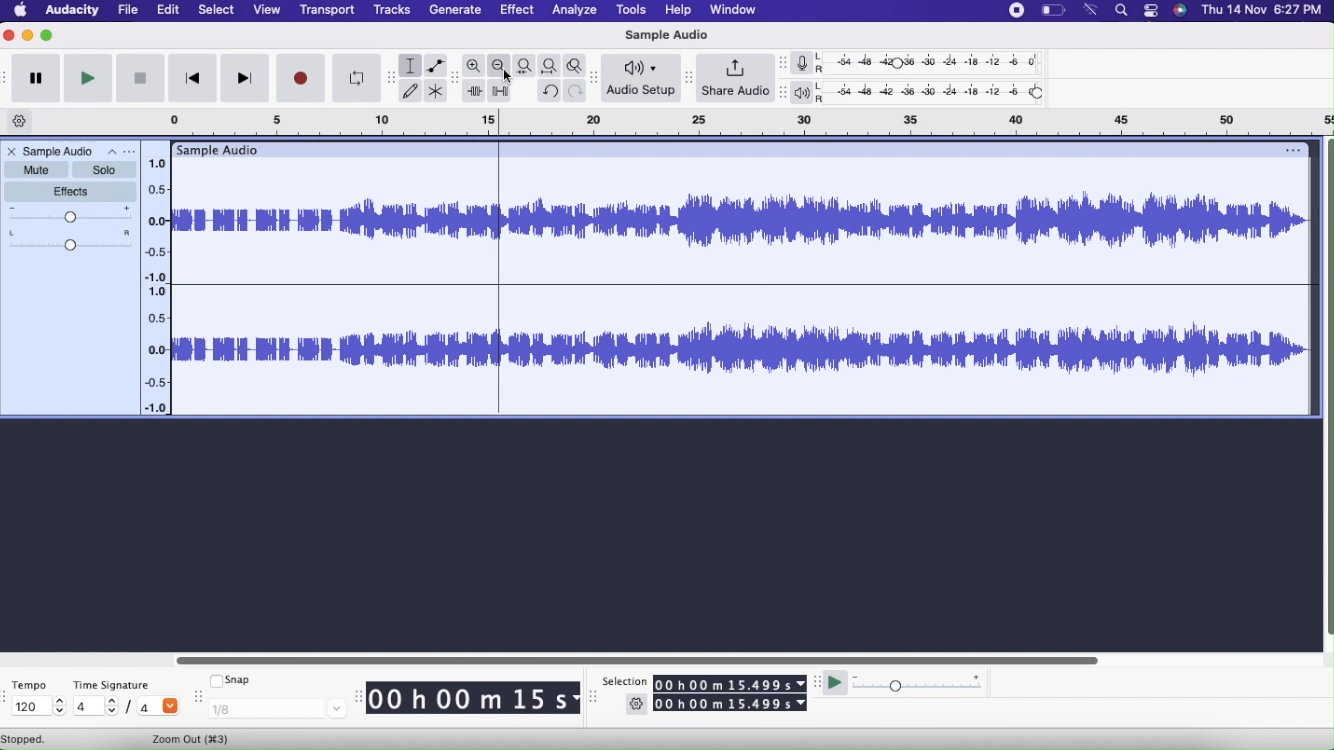 This screenshot has height=750, width=1334. Describe the element at coordinates (87, 79) in the screenshot. I see `Play` at that location.